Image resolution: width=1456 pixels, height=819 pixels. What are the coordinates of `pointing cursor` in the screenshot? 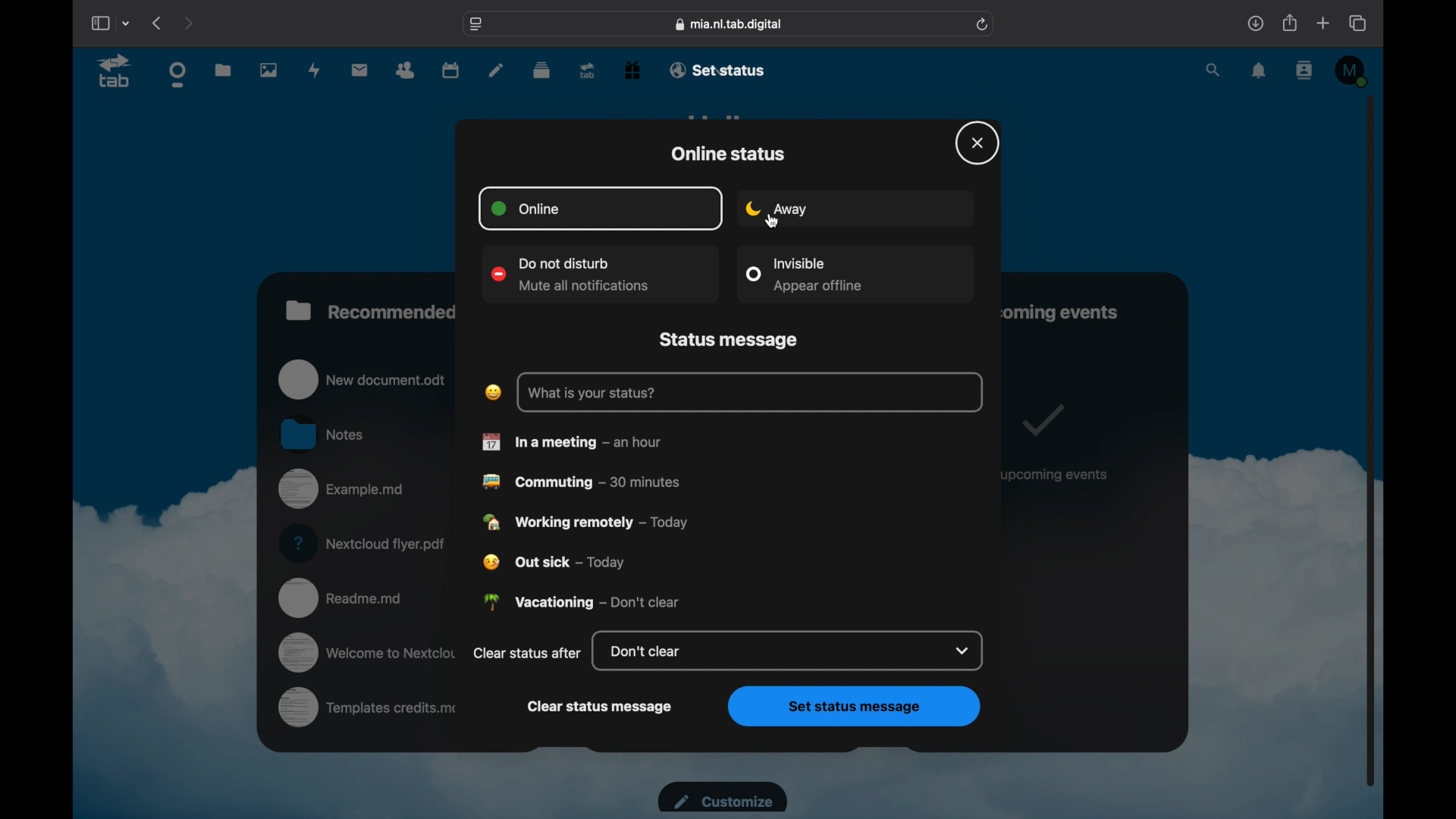 It's located at (777, 221).